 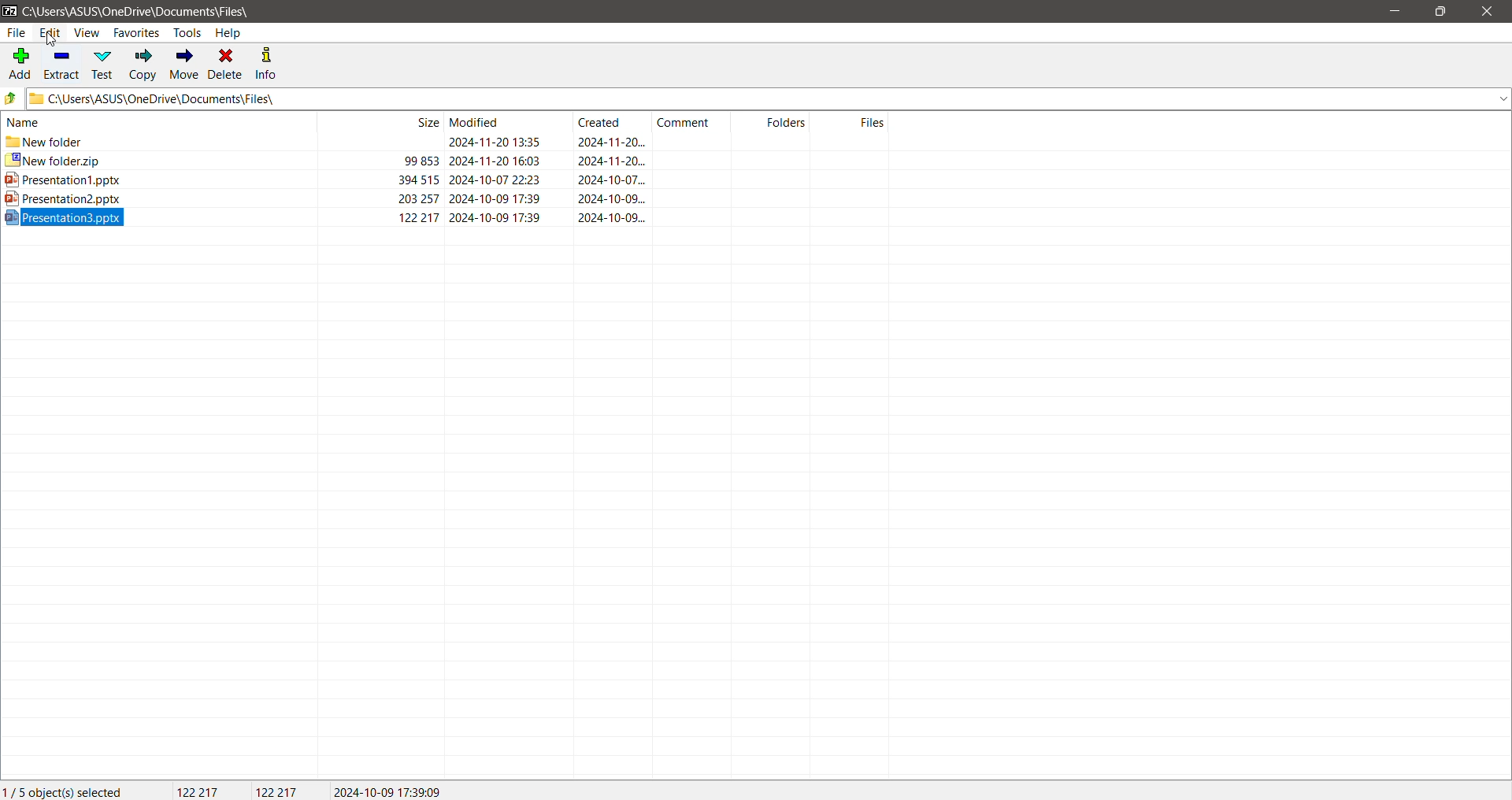 I want to click on Comments, so click(x=691, y=121).